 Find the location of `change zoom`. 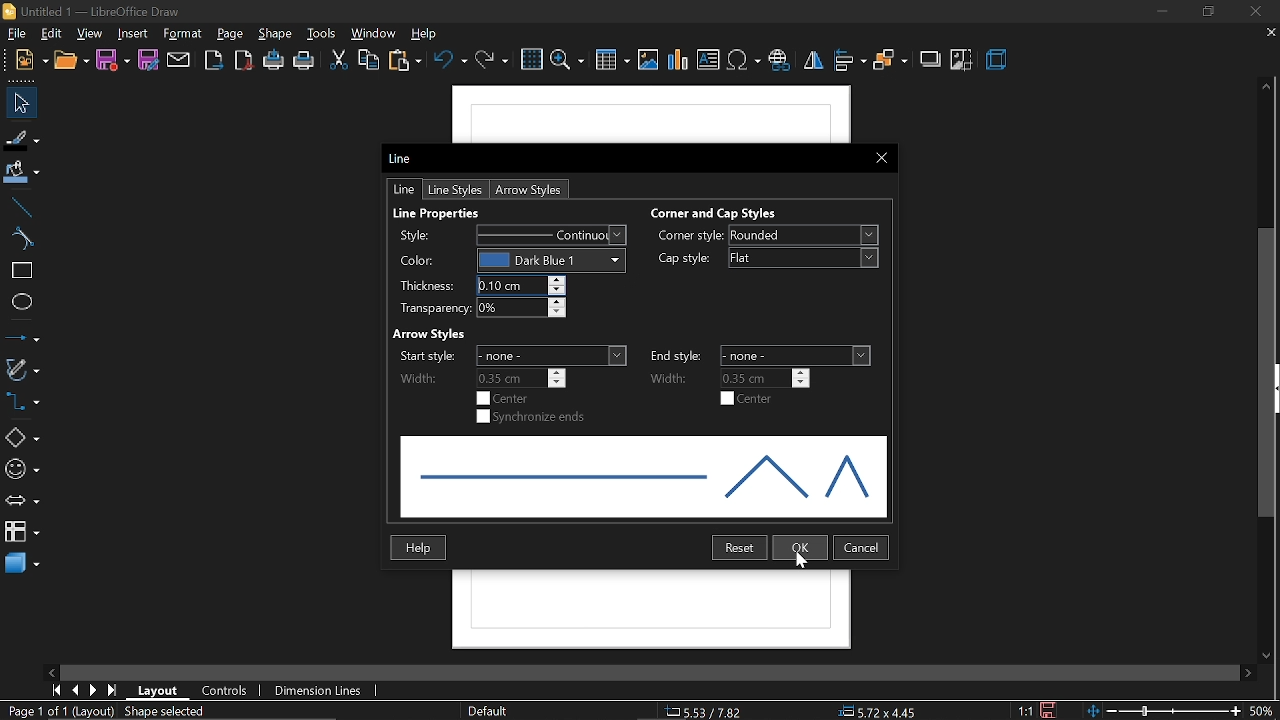

change zoom is located at coordinates (1163, 712).